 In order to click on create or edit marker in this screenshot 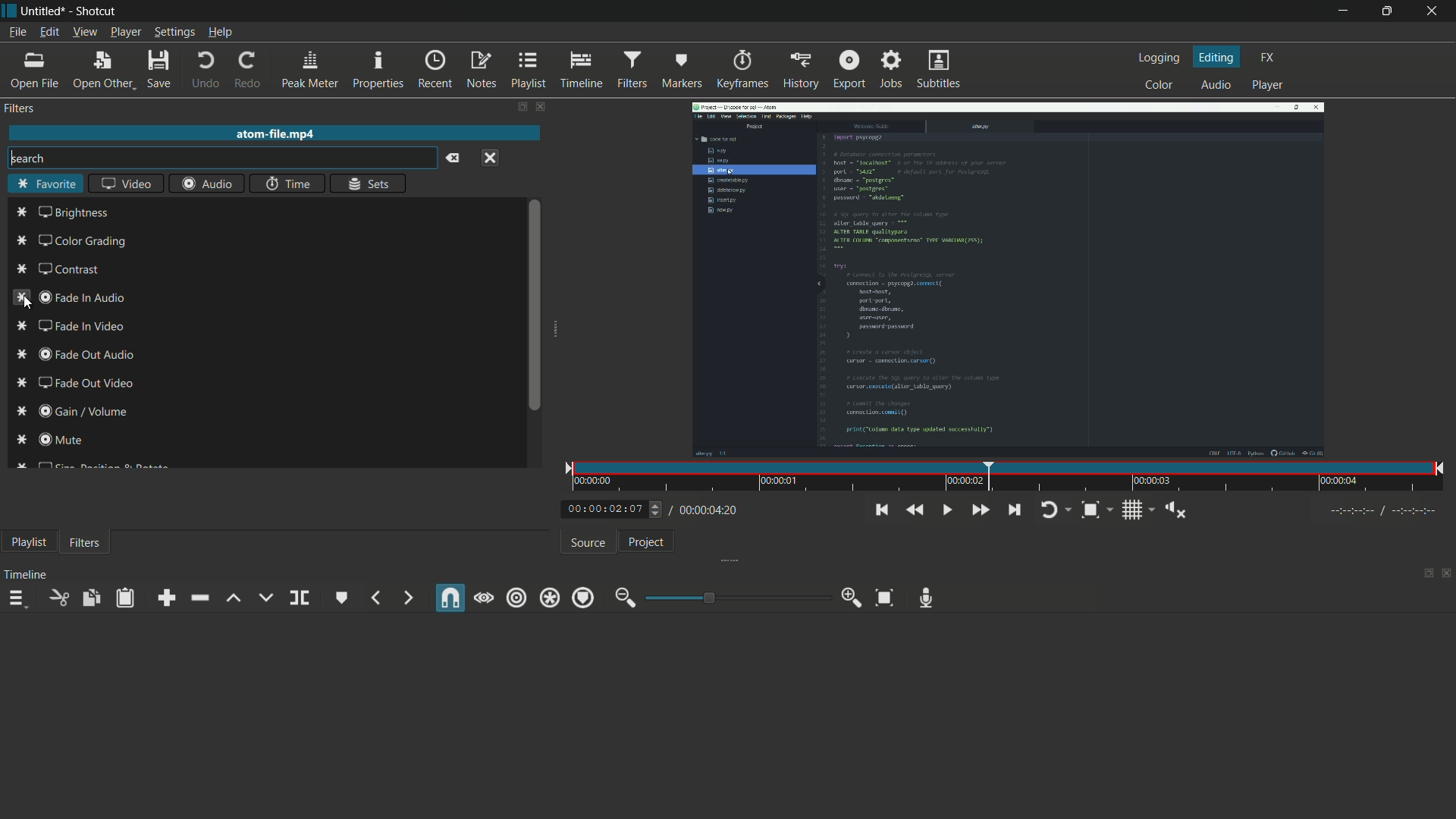, I will do `click(343, 598)`.